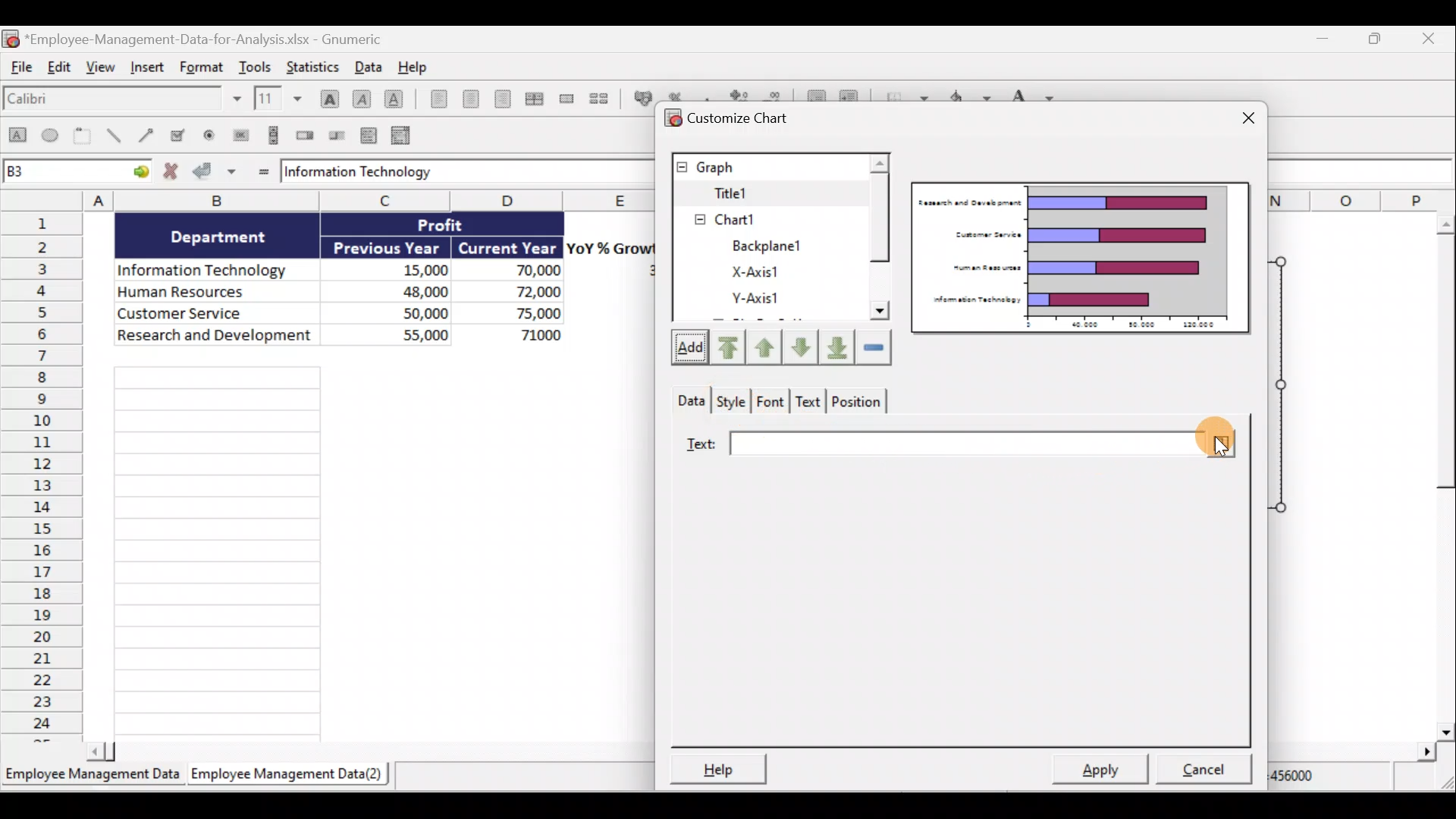 This screenshot has height=819, width=1456. What do you see at coordinates (61, 173) in the screenshot?
I see `Cell name B3` at bounding box center [61, 173].